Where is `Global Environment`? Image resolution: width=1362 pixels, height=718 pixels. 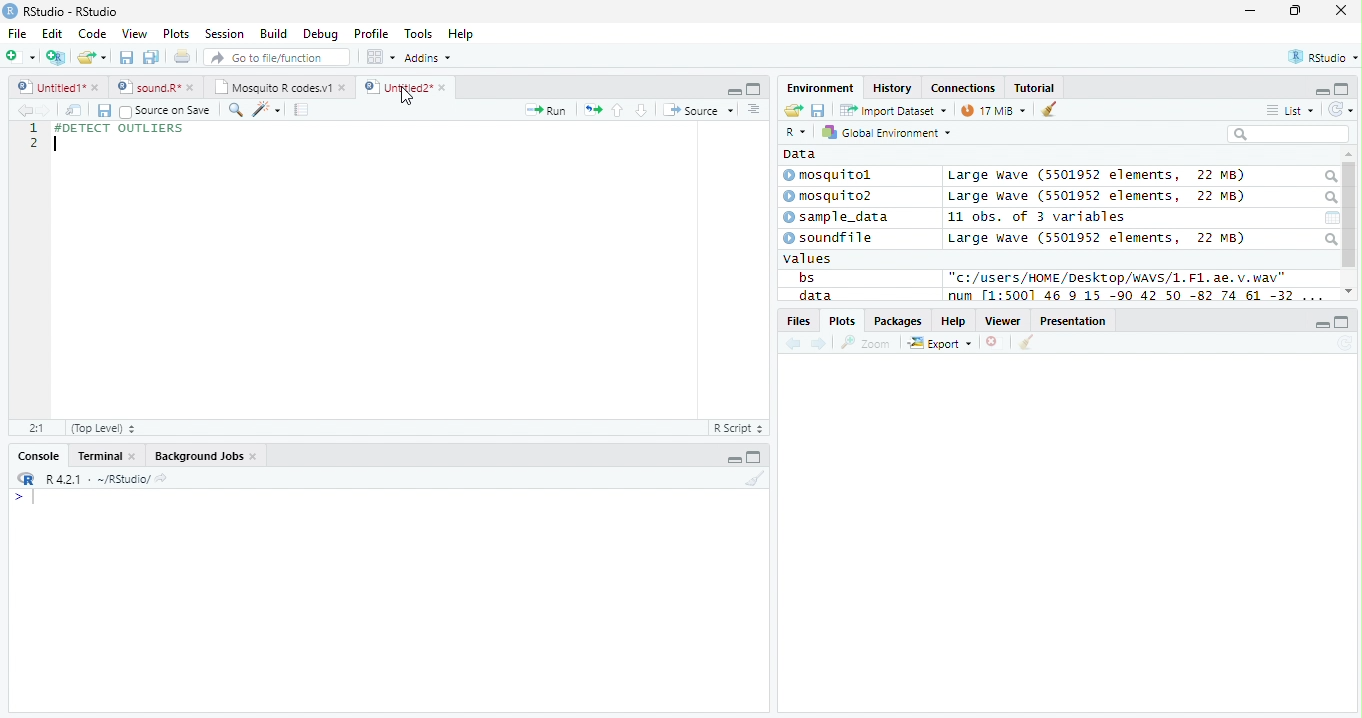 Global Environment is located at coordinates (884, 131).